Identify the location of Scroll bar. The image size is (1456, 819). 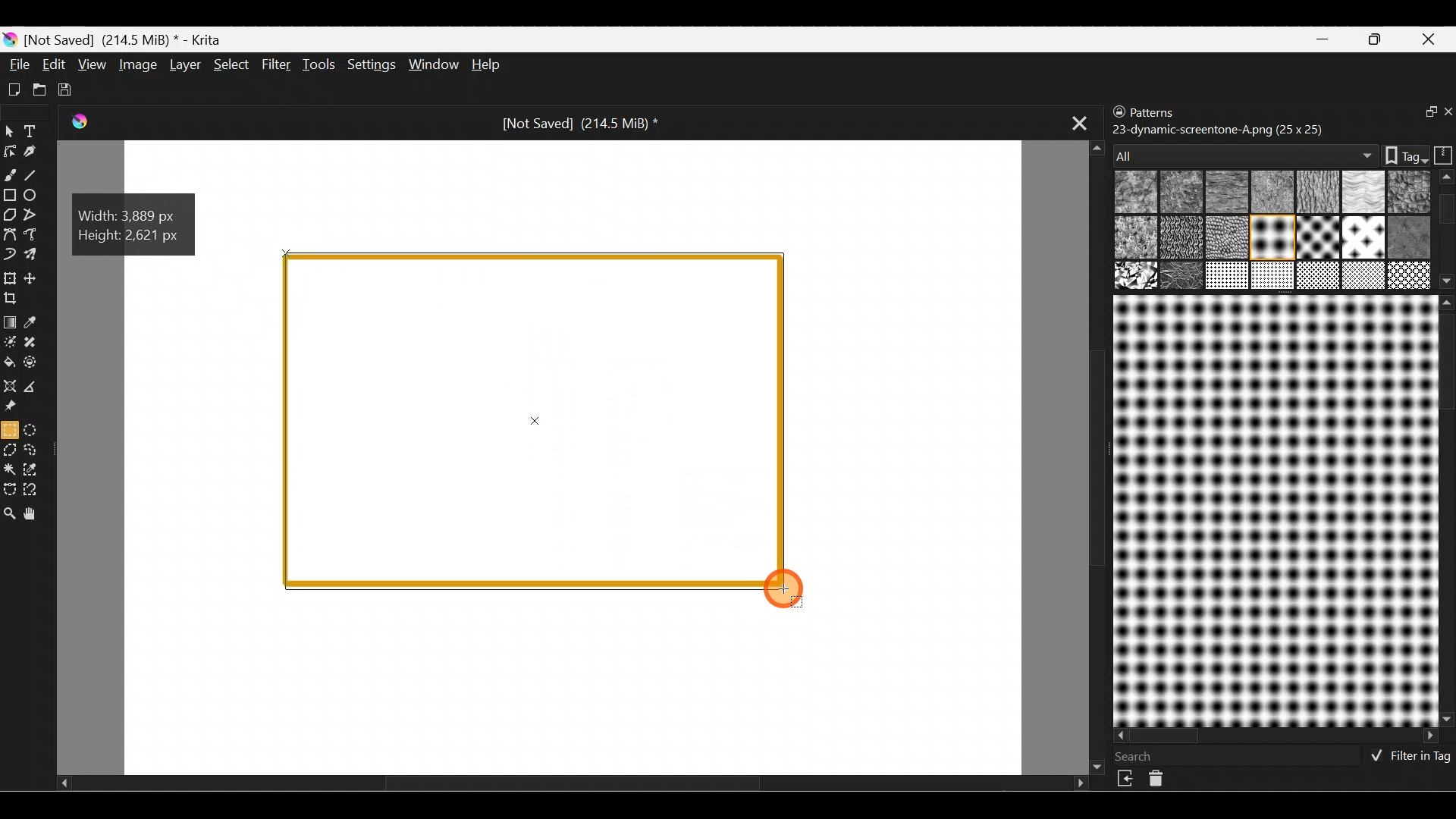
(1277, 736).